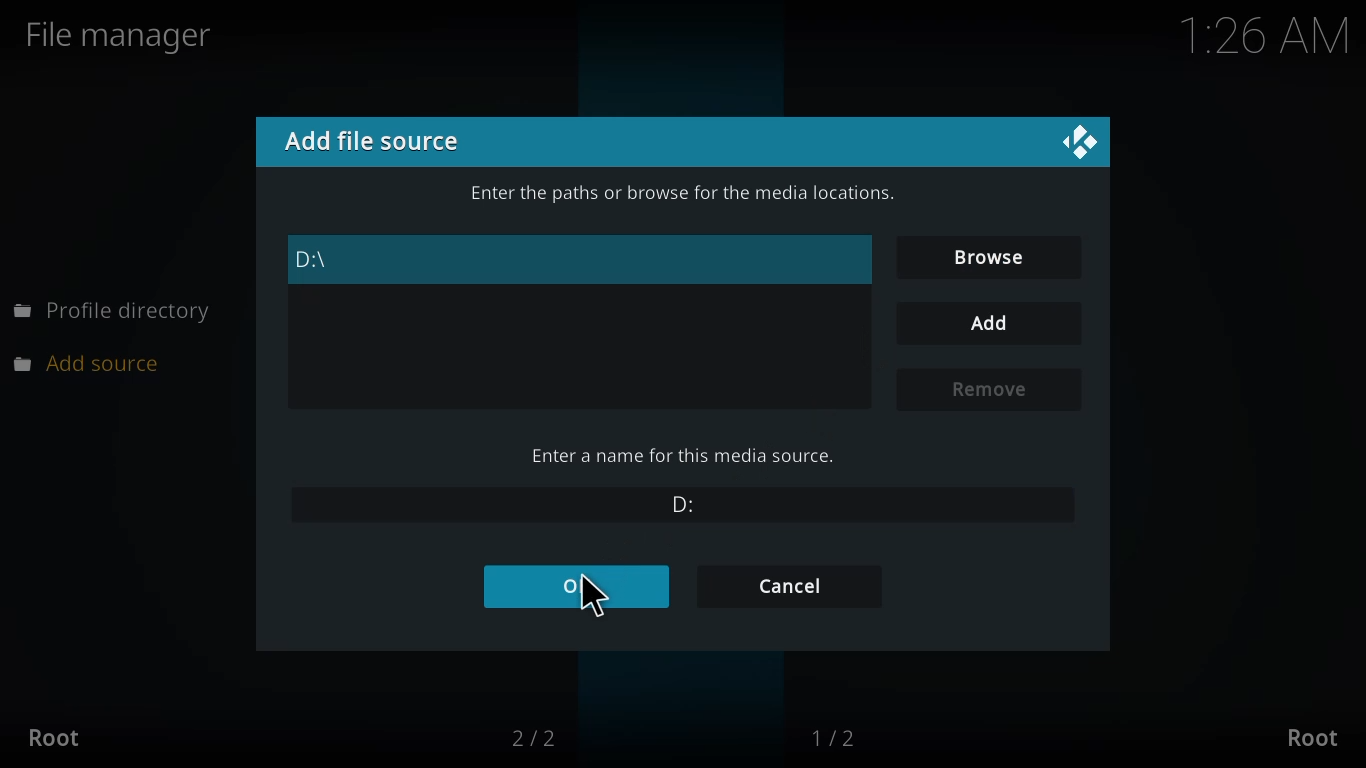 The image size is (1366, 768). I want to click on remove, so click(991, 388).